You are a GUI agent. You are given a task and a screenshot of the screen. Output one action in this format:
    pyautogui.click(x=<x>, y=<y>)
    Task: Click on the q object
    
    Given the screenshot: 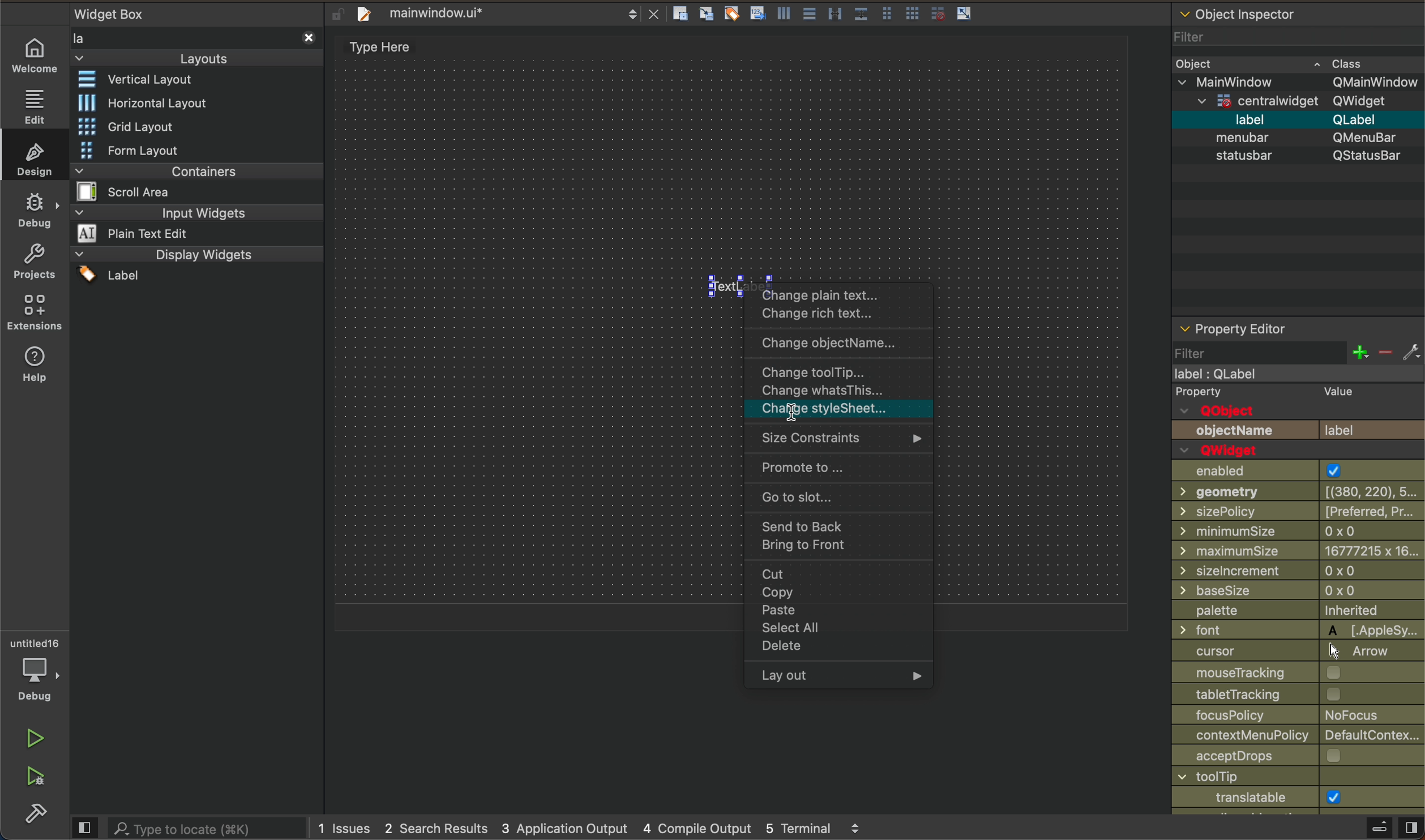 What is the action you would take?
    pyautogui.click(x=1244, y=412)
    